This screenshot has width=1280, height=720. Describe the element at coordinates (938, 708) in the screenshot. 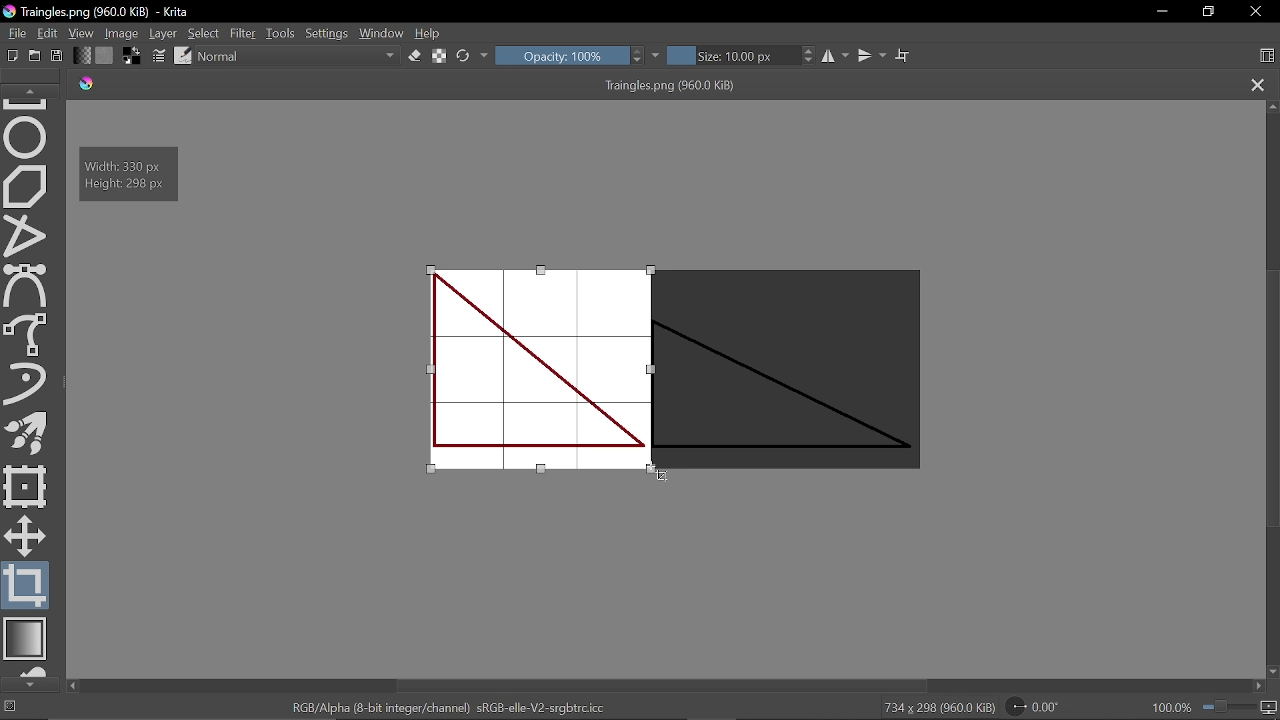

I see `734 x 298 (960.0 KiB)` at that location.